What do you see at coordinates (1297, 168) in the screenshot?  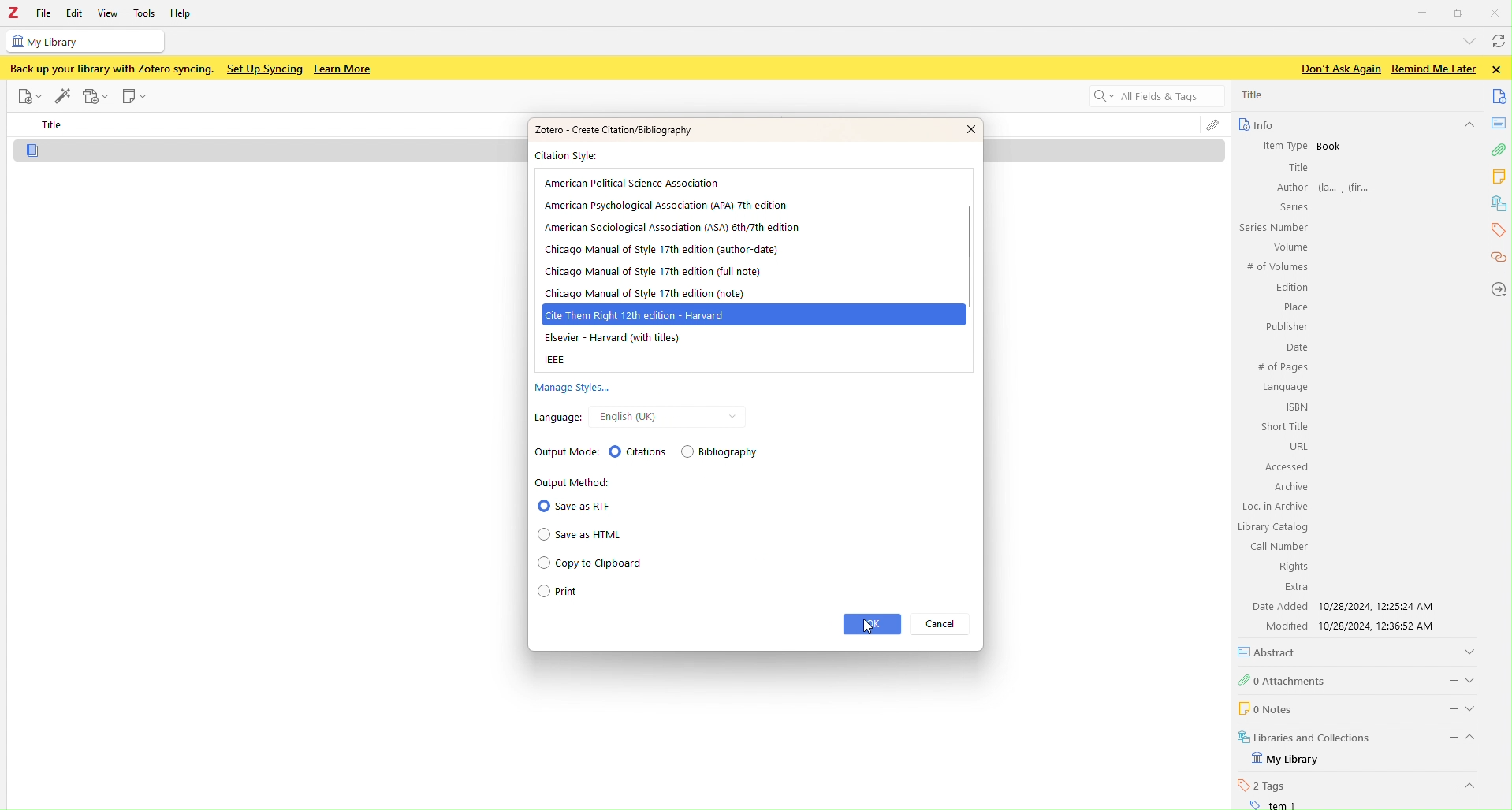 I see `Title` at bounding box center [1297, 168].